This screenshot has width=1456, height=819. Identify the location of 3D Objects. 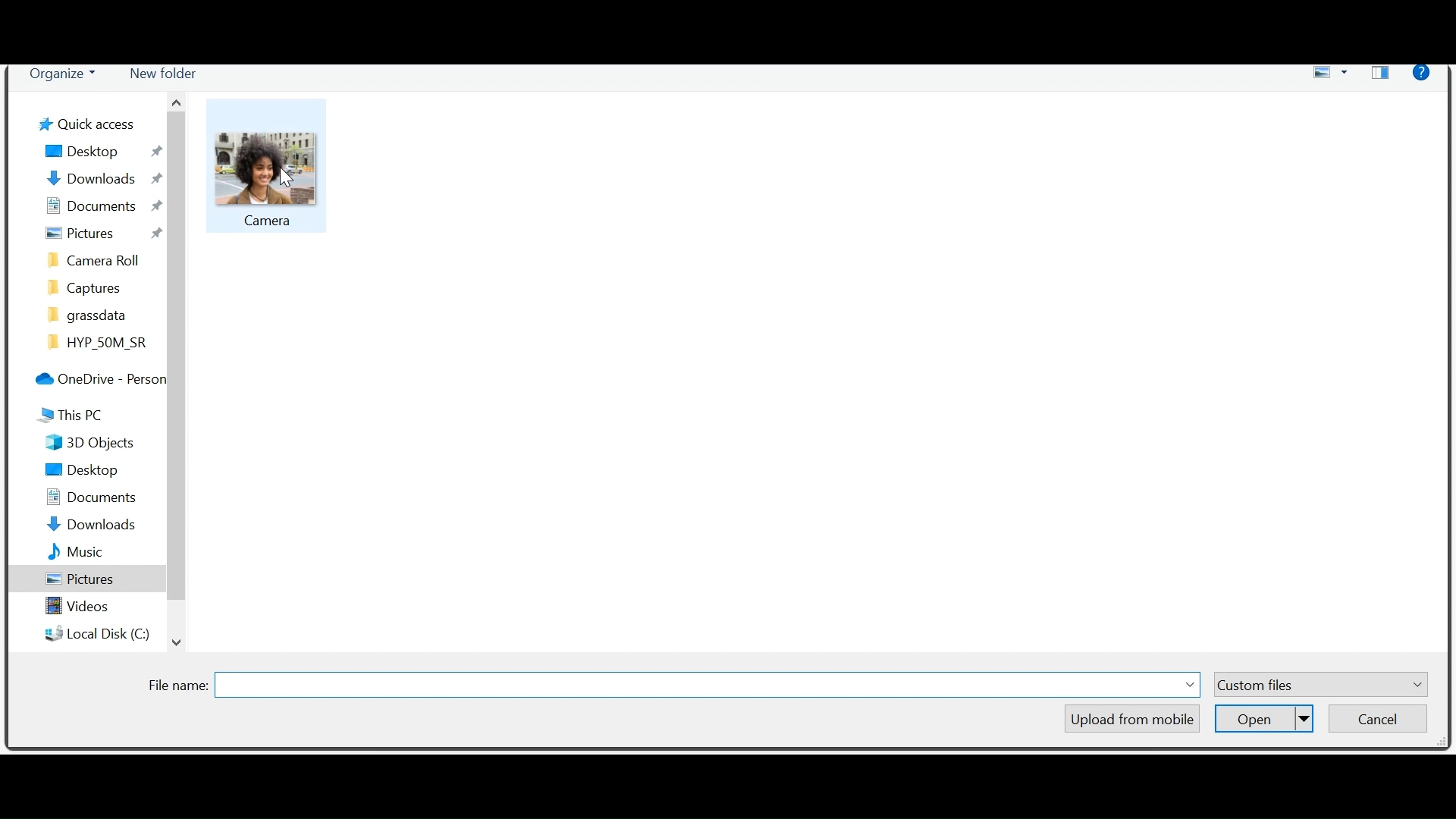
(94, 443).